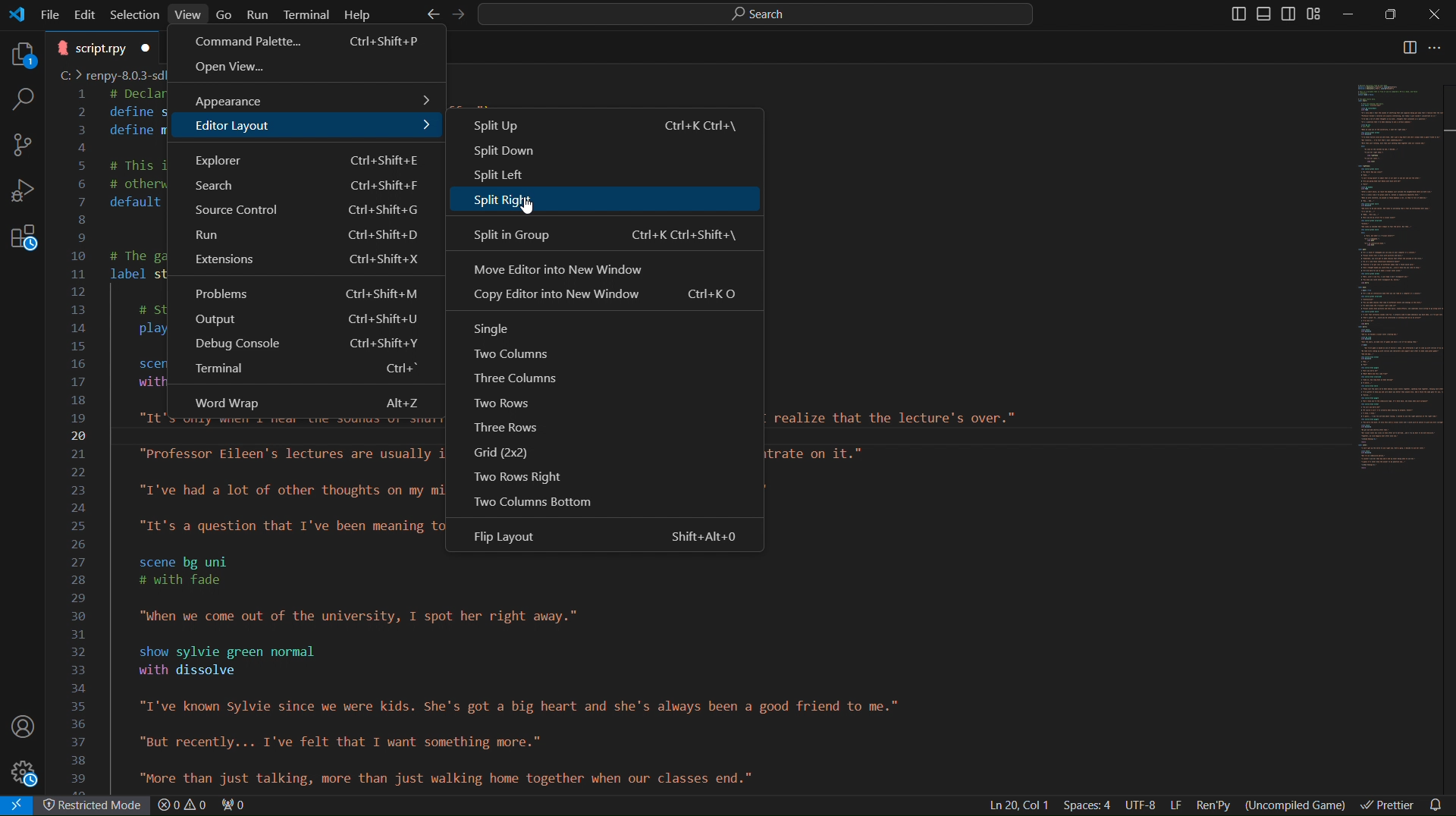  Describe the element at coordinates (752, 14) in the screenshot. I see `Search bar` at that location.